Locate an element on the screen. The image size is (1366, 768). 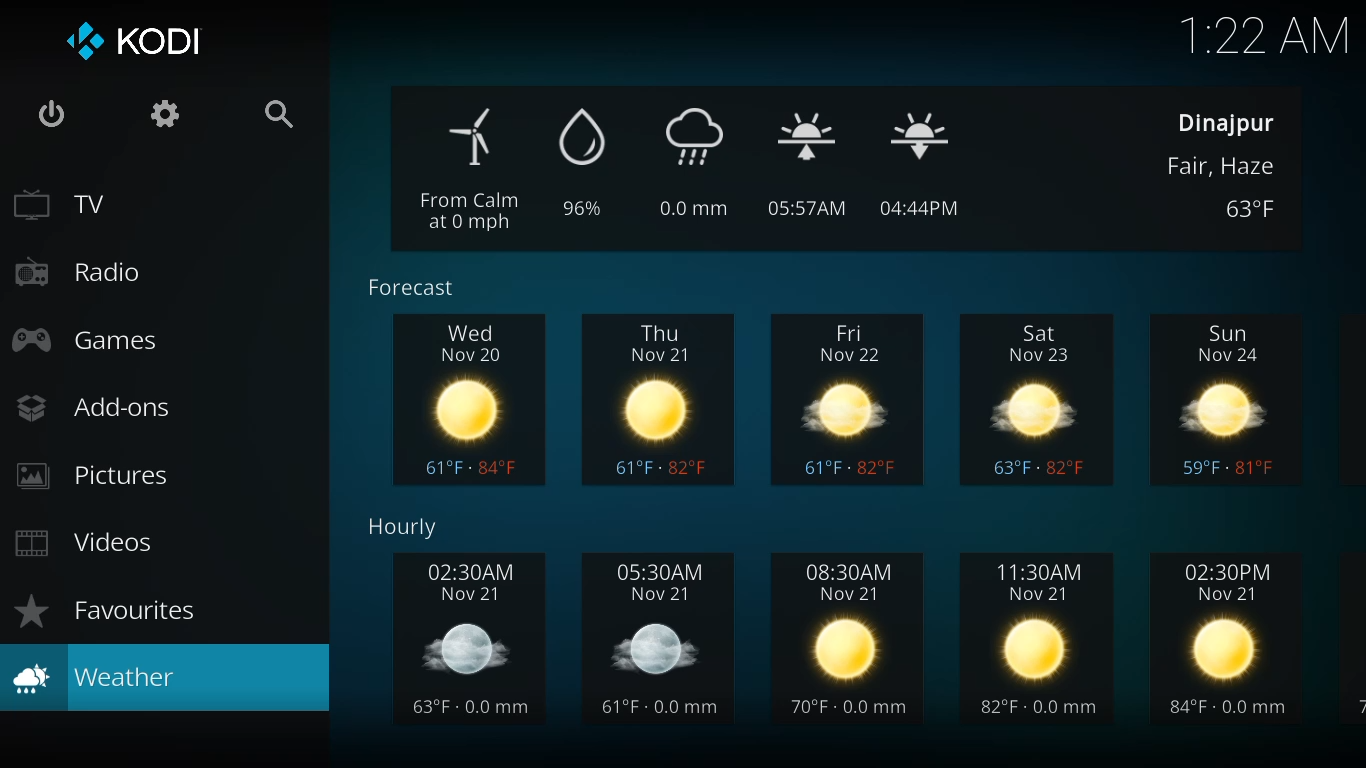
2:30 is located at coordinates (469, 641).